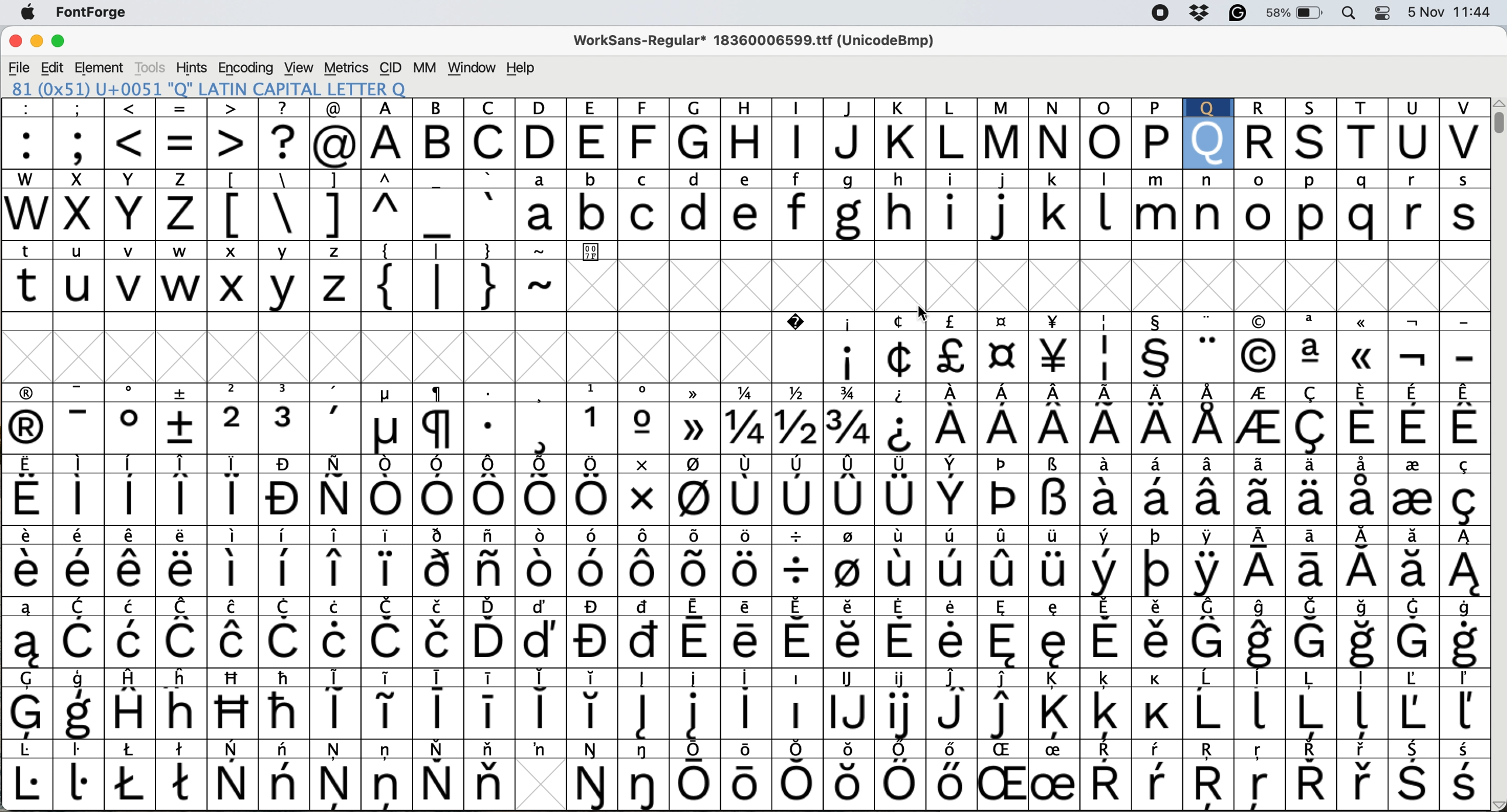 This screenshot has height=812, width=1507. What do you see at coordinates (422, 68) in the screenshot?
I see `mm` at bounding box center [422, 68].